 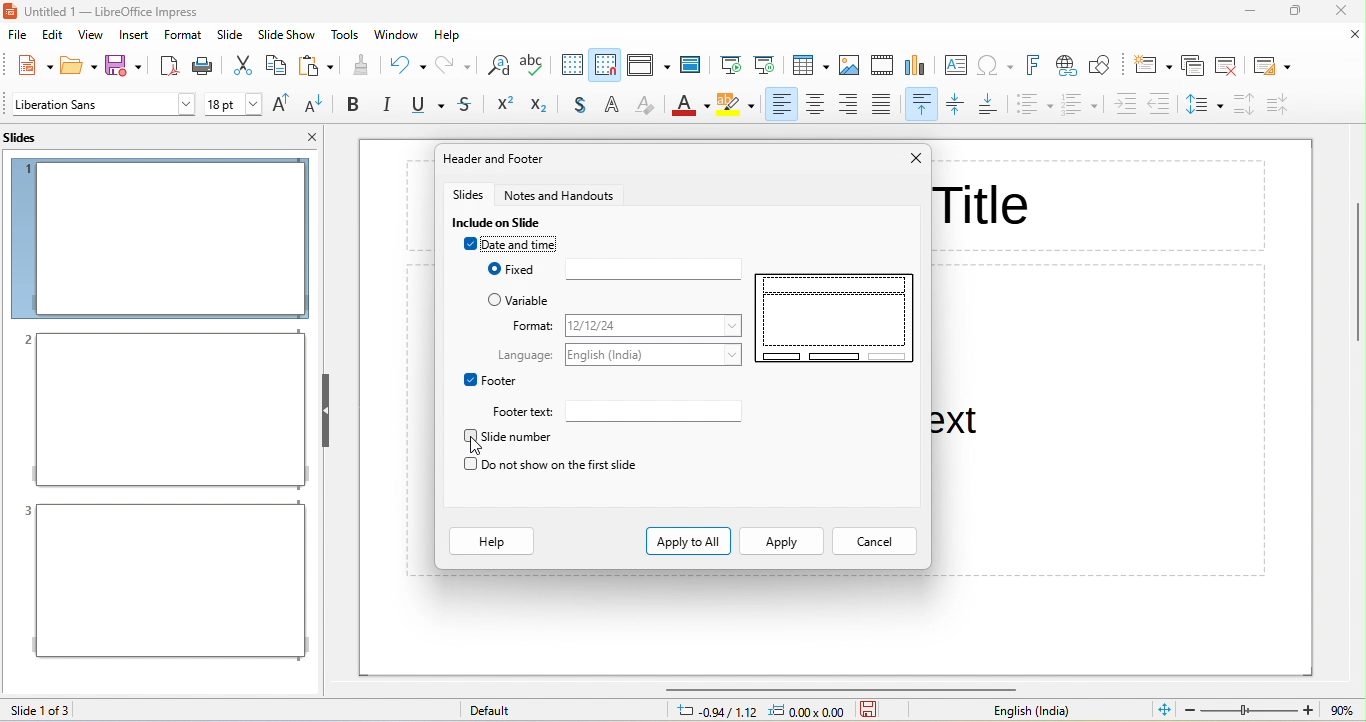 What do you see at coordinates (1273, 64) in the screenshot?
I see `slide layout` at bounding box center [1273, 64].